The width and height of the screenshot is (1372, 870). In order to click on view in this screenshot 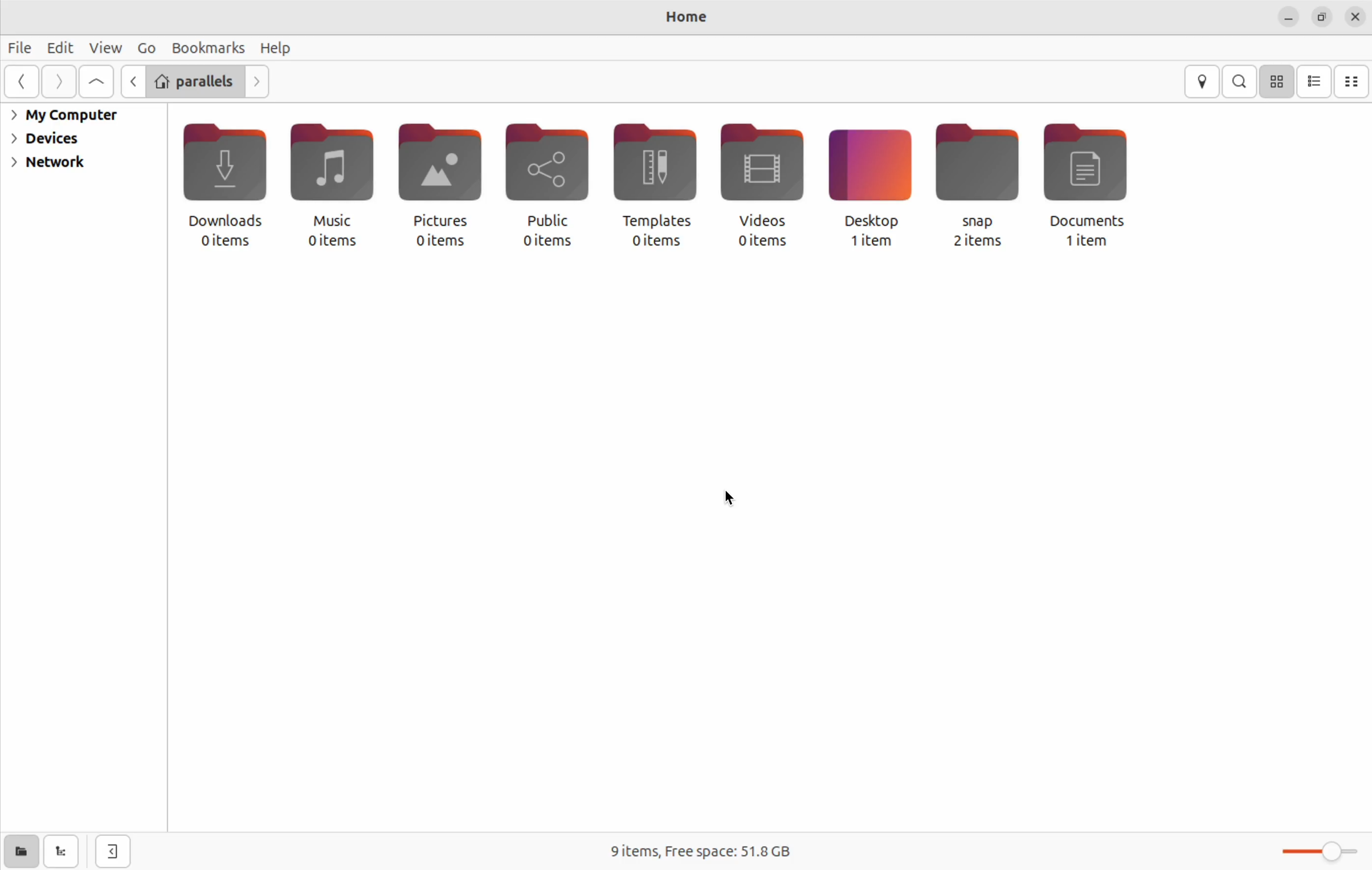, I will do `click(105, 47)`.